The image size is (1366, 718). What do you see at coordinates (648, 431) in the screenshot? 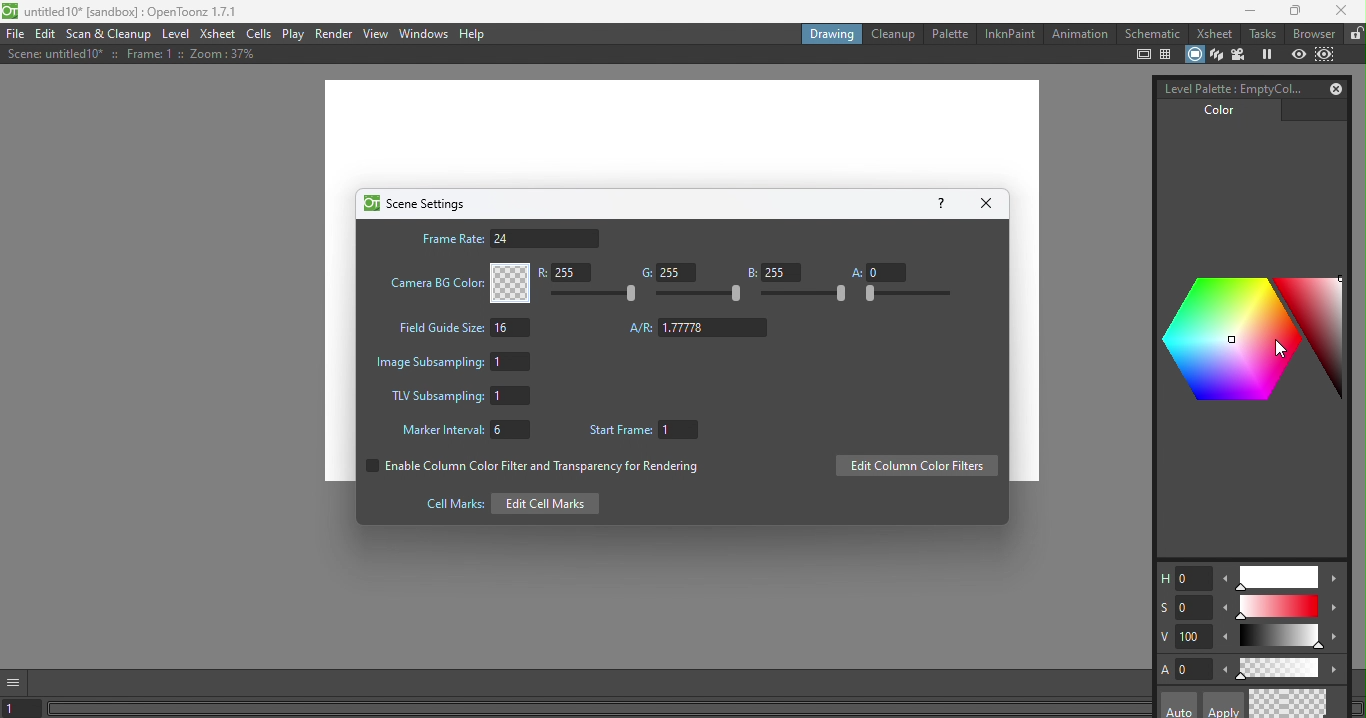
I see `Start Frame` at bounding box center [648, 431].